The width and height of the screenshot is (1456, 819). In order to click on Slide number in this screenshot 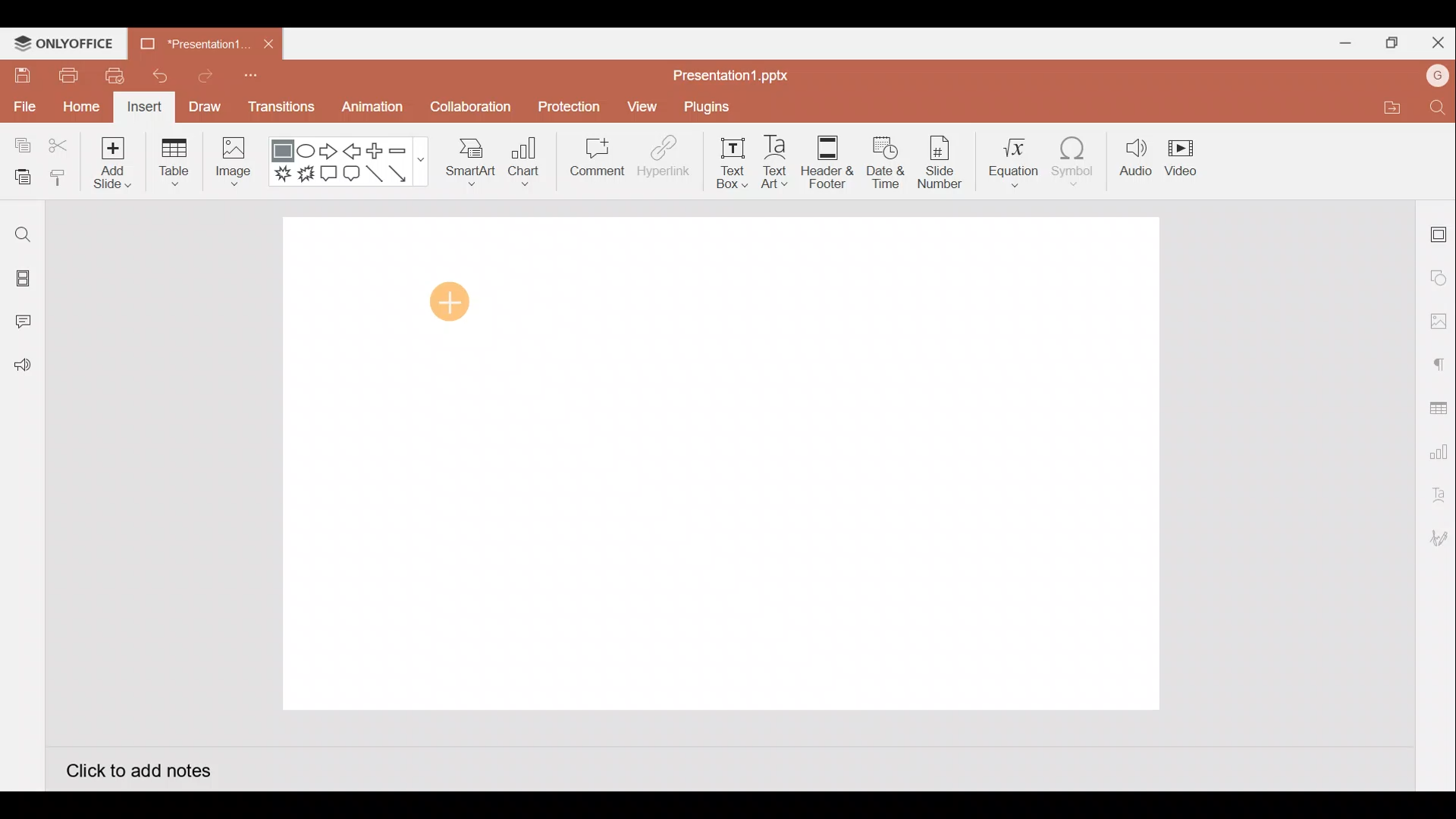, I will do `click(939, 162)`.